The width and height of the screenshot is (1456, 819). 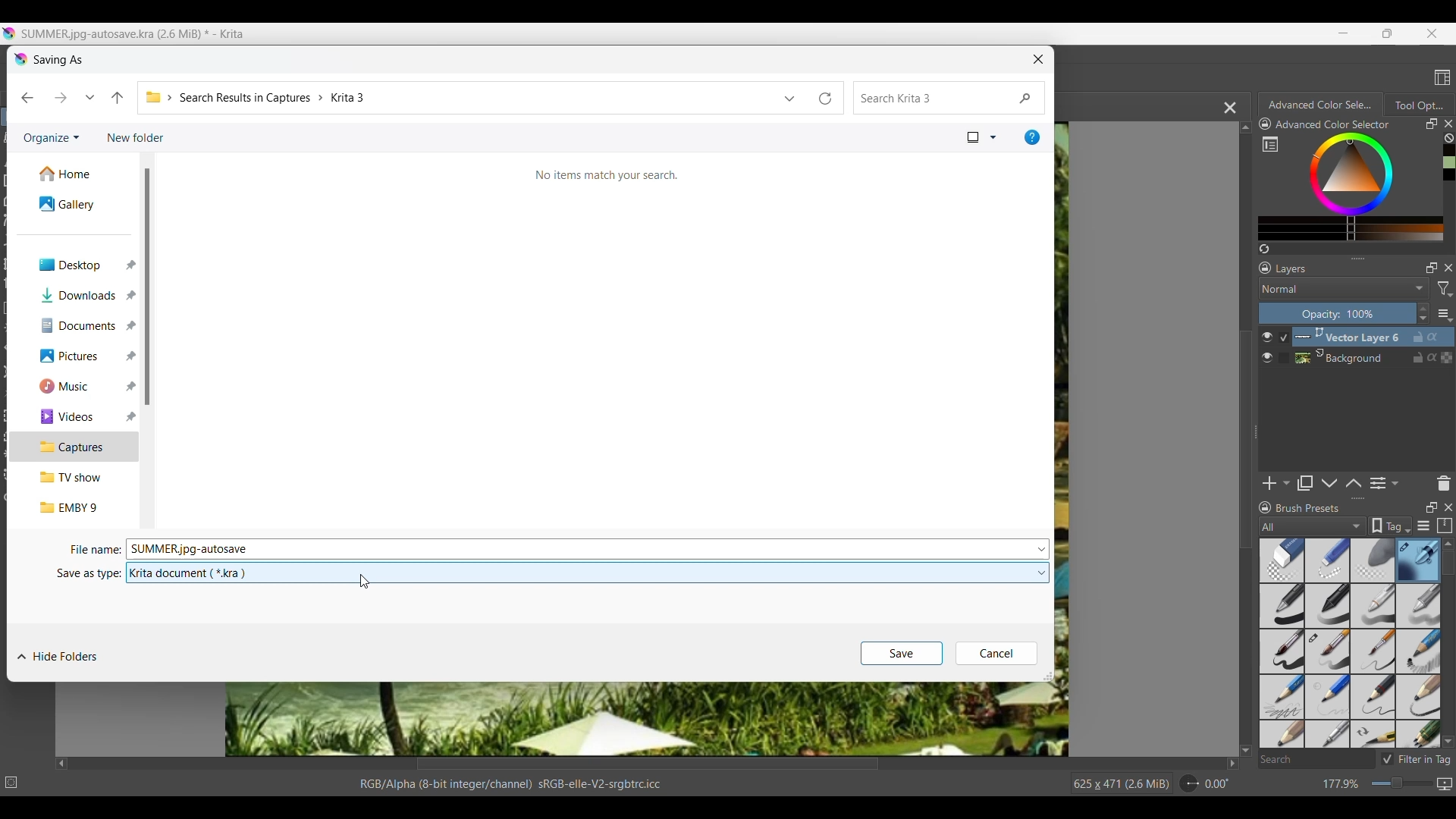 I want to click on Filter options, so click(x=1444, y=289).